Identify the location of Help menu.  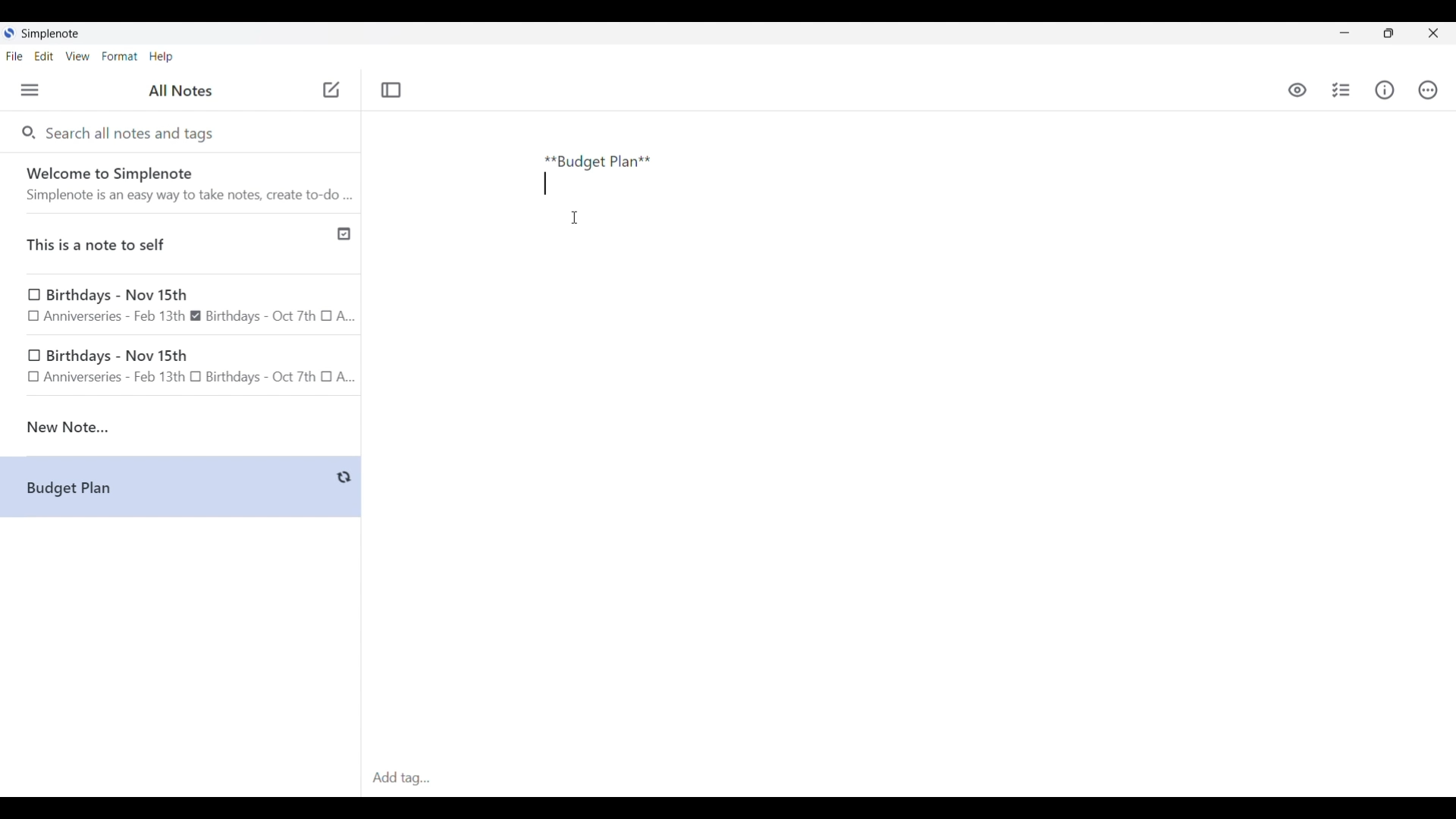
(161, 56).